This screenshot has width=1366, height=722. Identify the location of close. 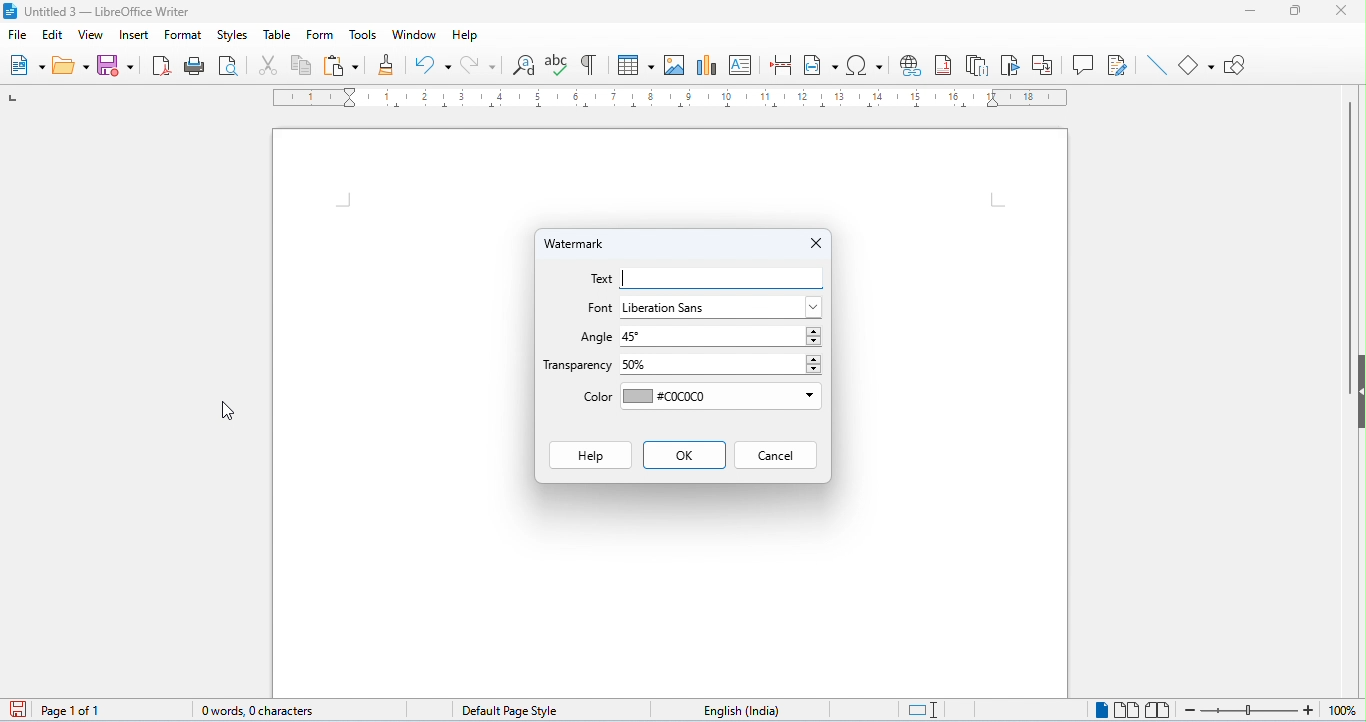
(1339, 10).